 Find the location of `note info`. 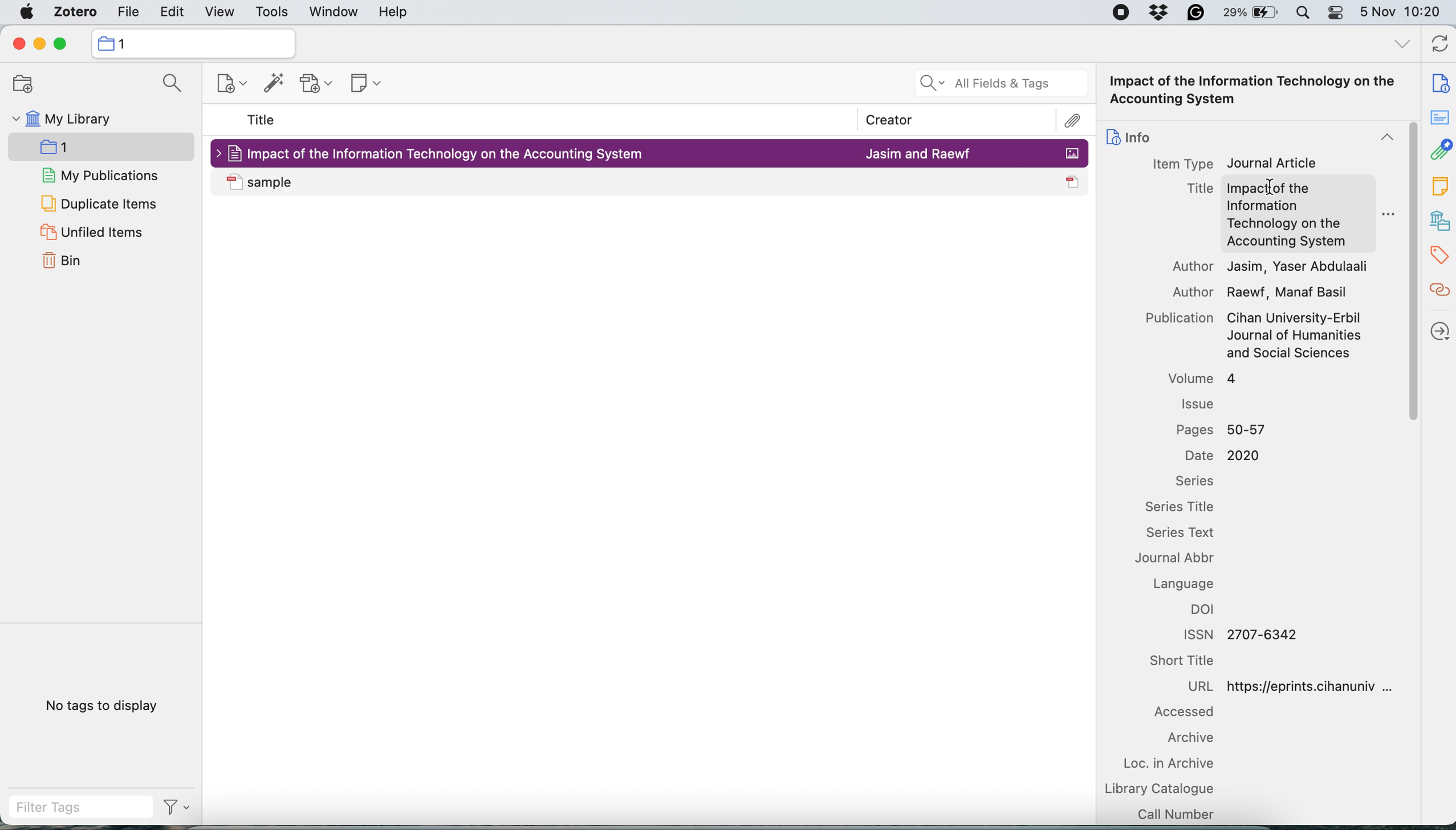

note info is located at coordinates (1439, 83).